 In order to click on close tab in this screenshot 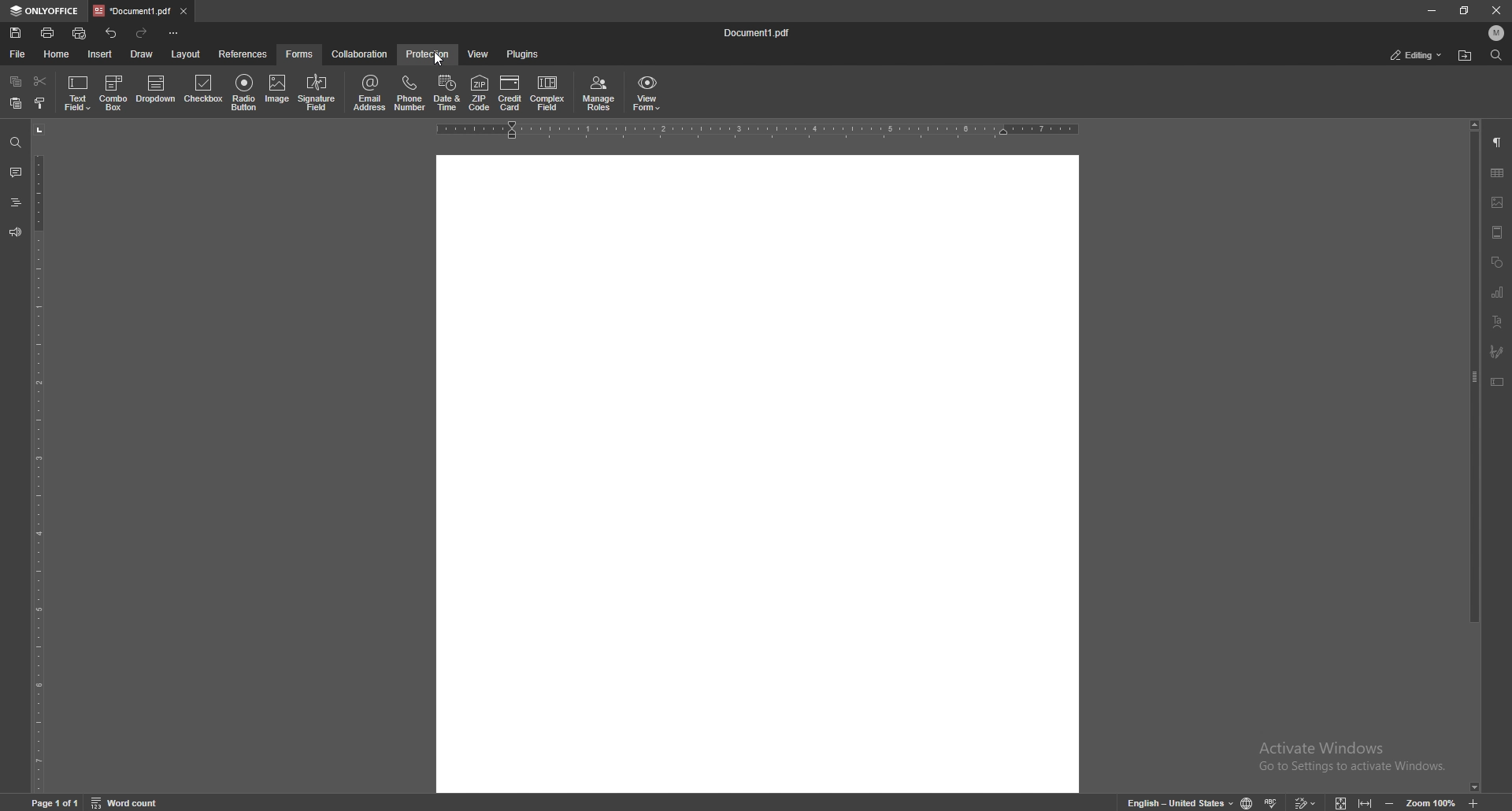, I will do `click(184, 10)`.